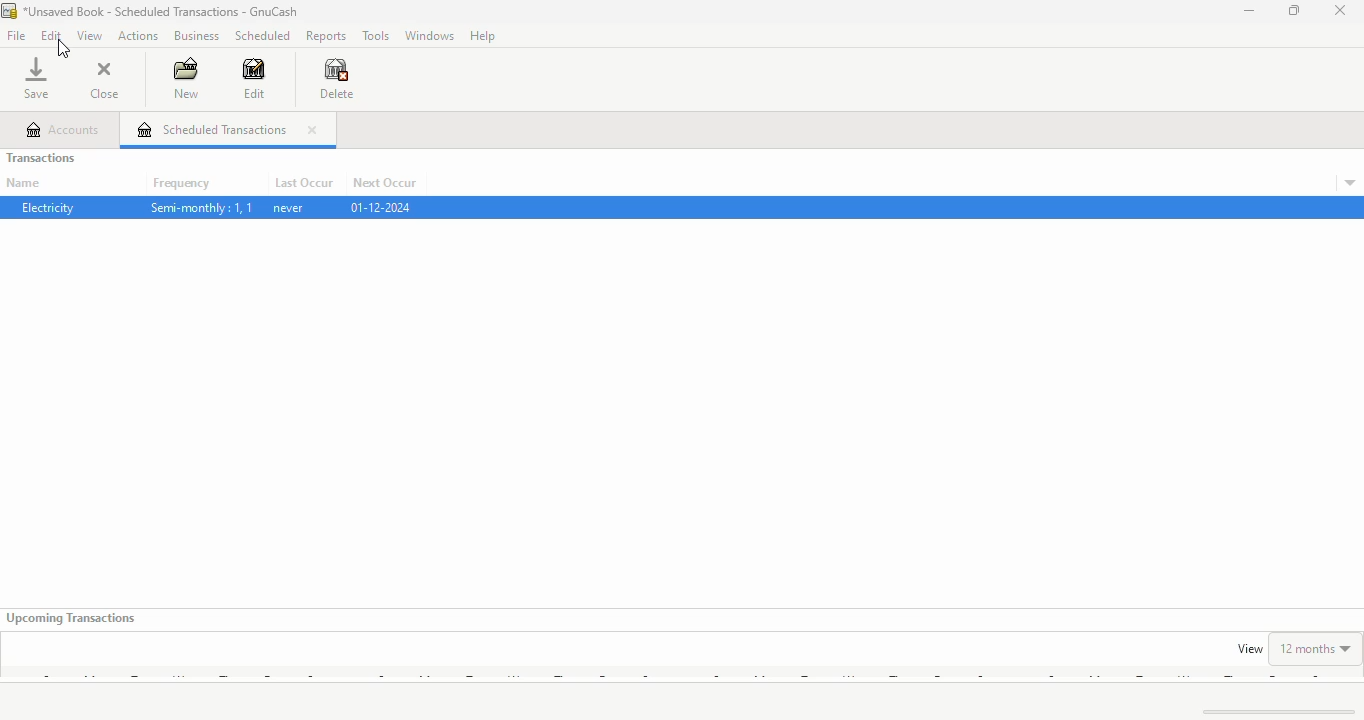 The height and width of the screenshot is (720, 1364). What do you see at coordinates (9, 11) in the screenshot?
I see `logo` at bounding box center [9, 11].